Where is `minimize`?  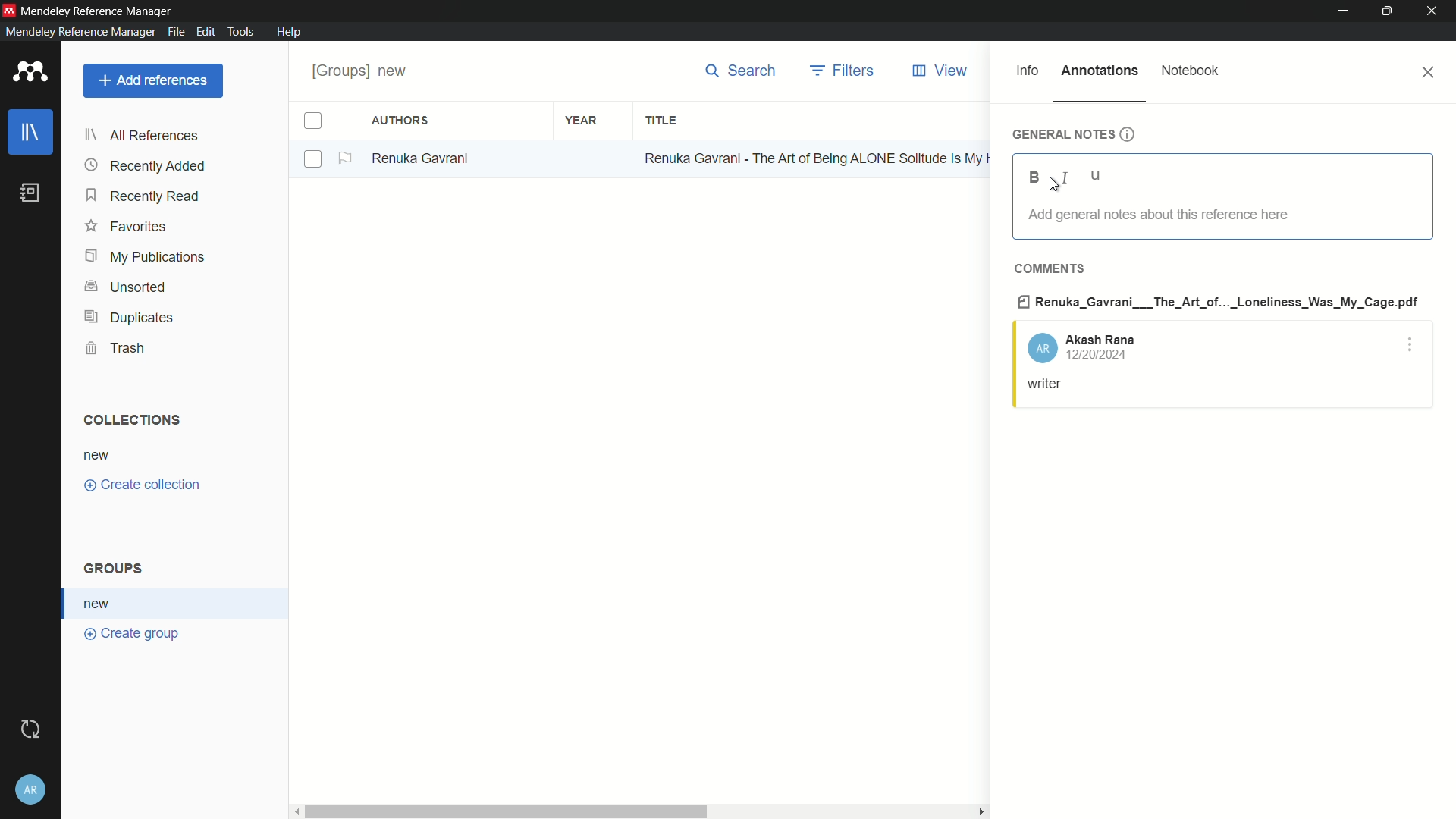
minimize is located at coordinates (1344, 11).